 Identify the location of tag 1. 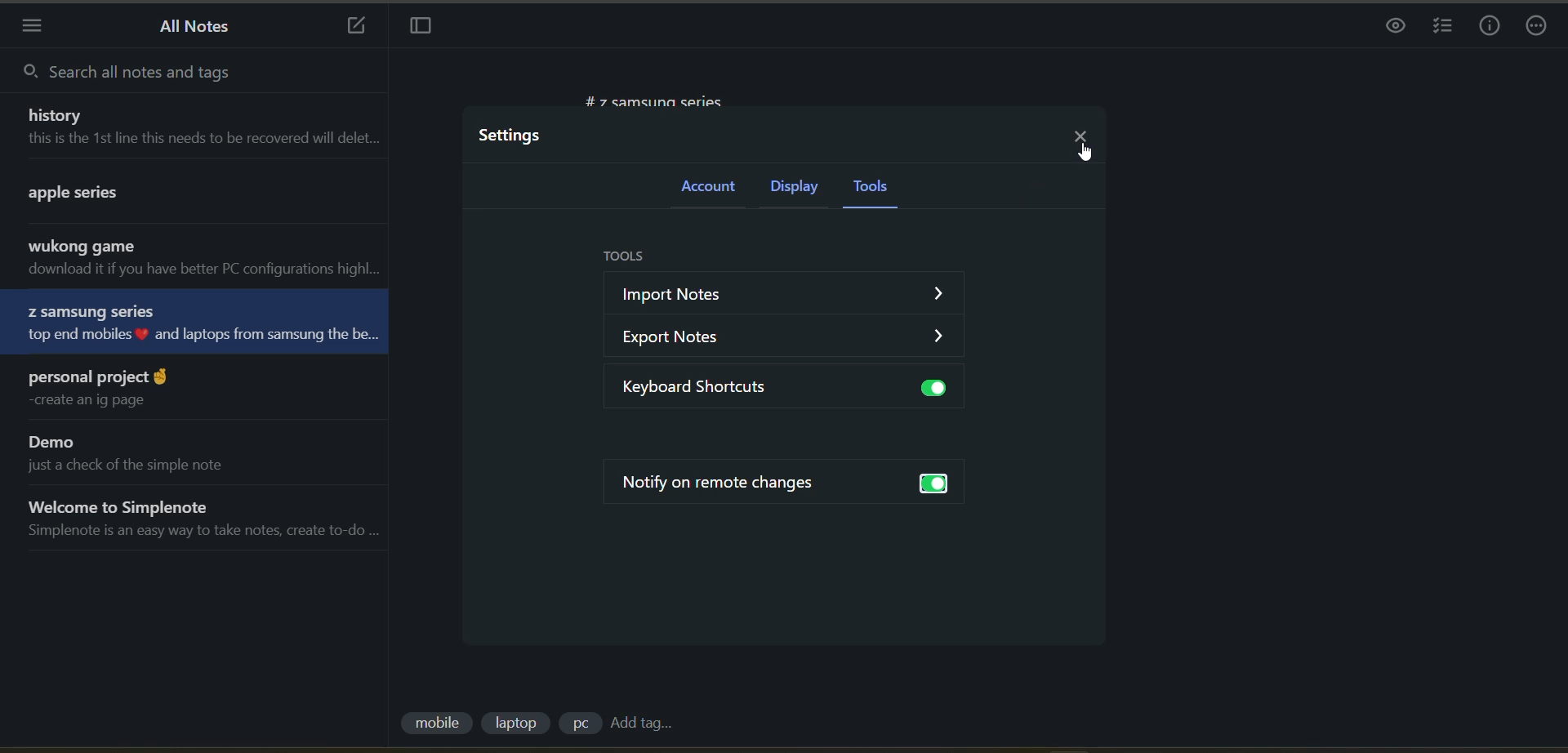
(435, 725).